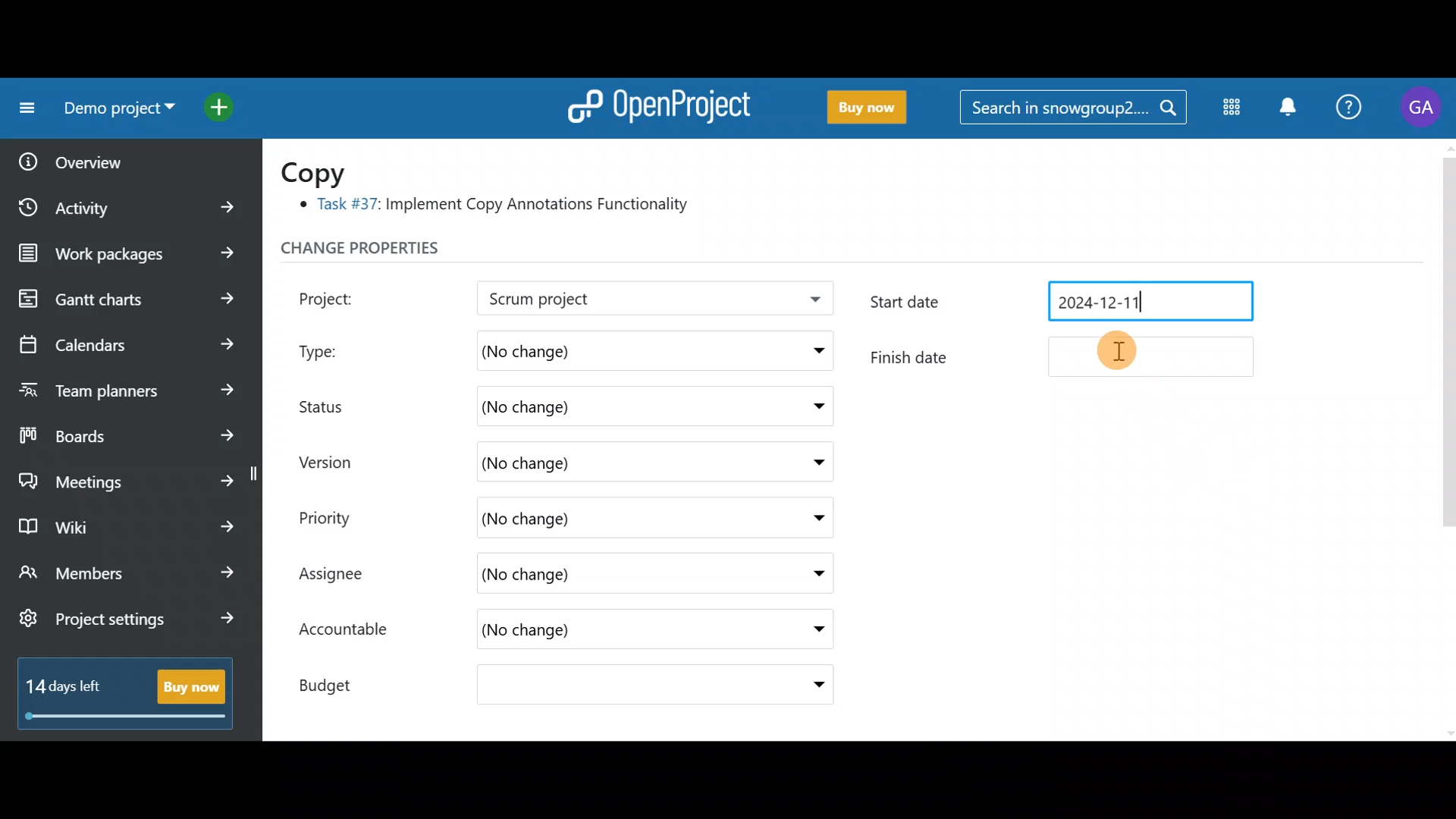  What do you see at coordinates (814, 354) in the screenshot?
I see `Type drop down` at bounding box center [814, 354].